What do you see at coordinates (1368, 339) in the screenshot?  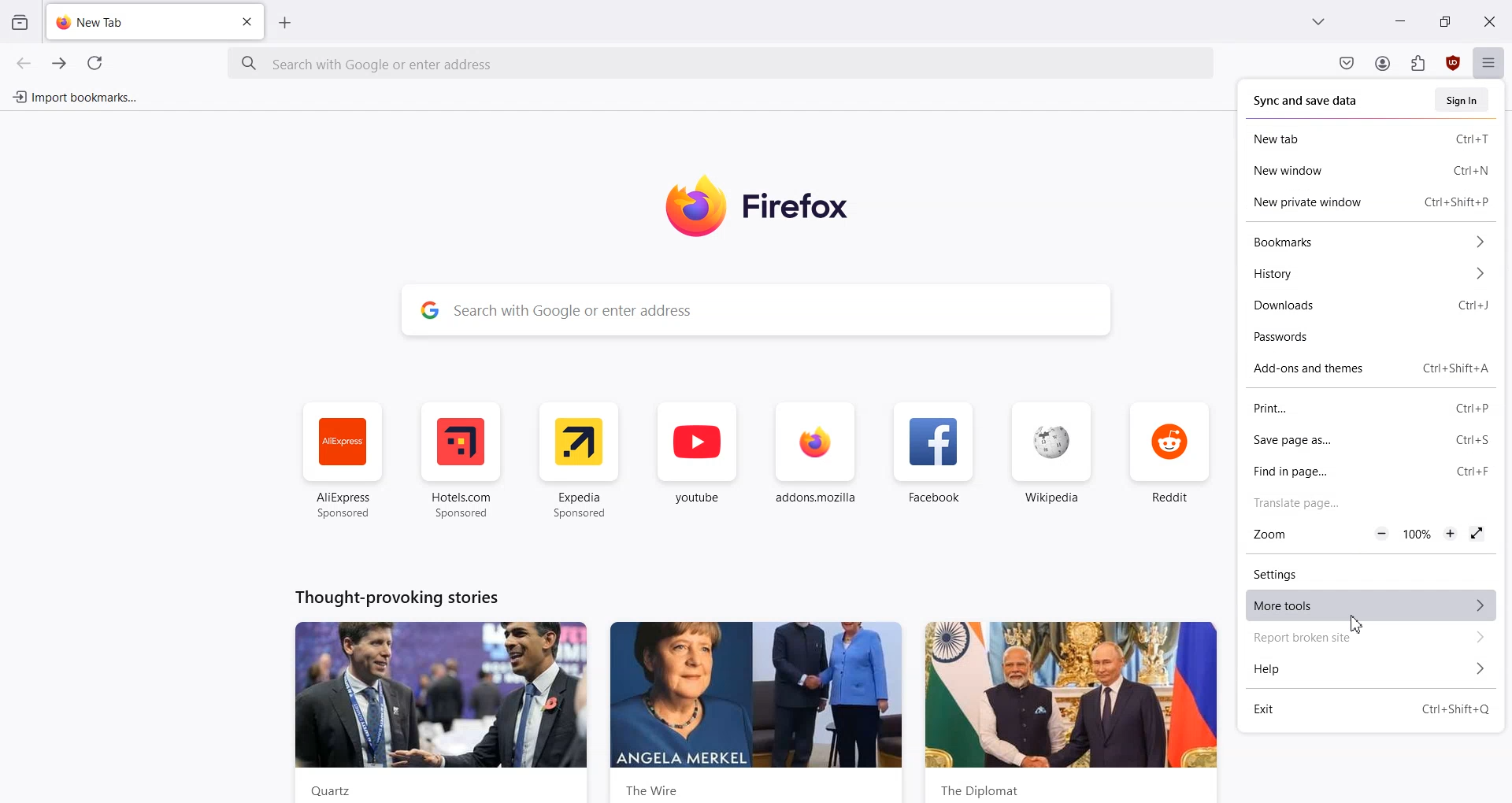 I see `Passwords` at bounding box center [1368, 339].